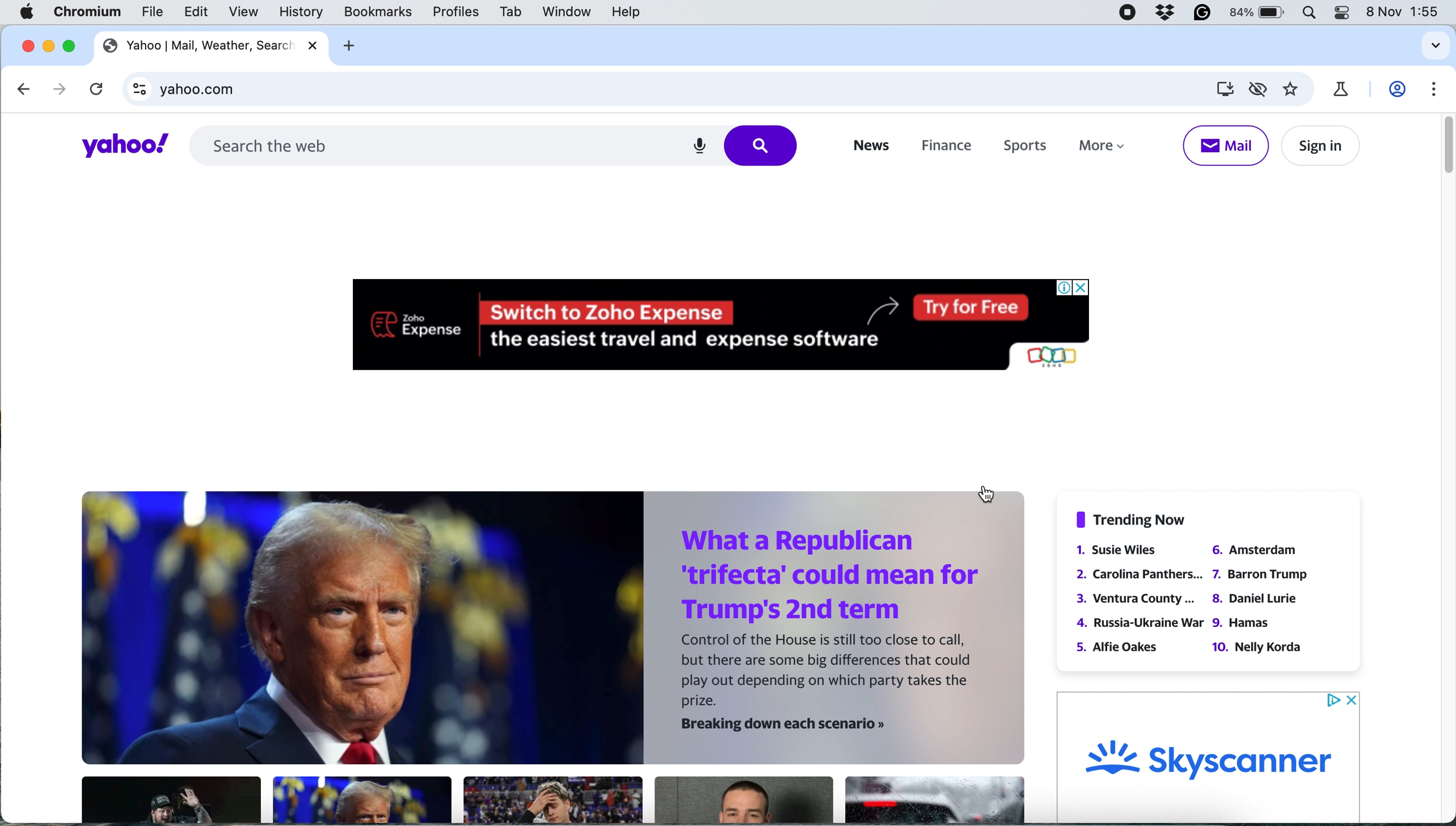 This screenshot has width=1456, height=826. I want to click on more, so click(1101, 147).